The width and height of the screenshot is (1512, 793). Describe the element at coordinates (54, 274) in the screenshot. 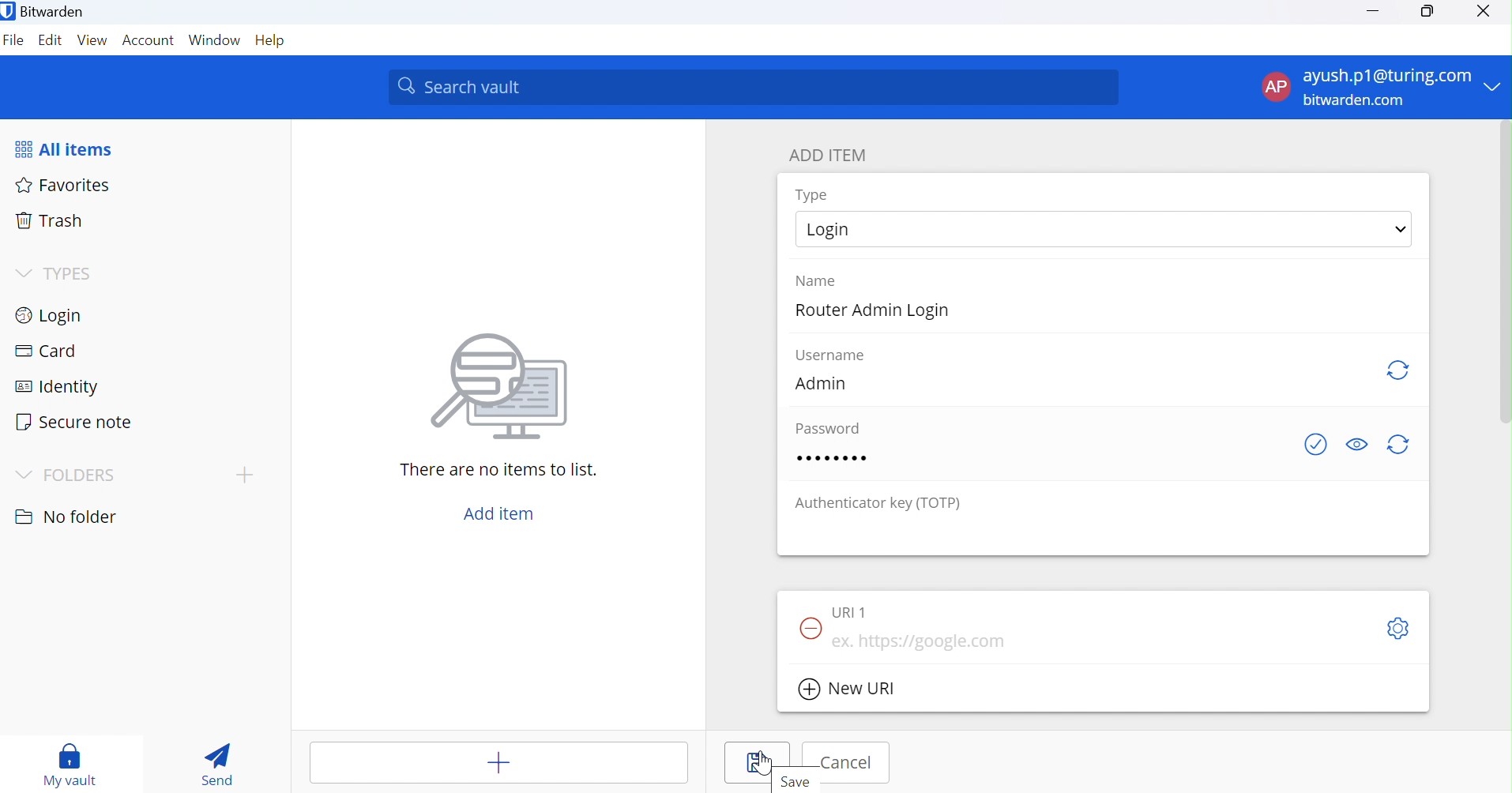

I see `TYPES` at that location.